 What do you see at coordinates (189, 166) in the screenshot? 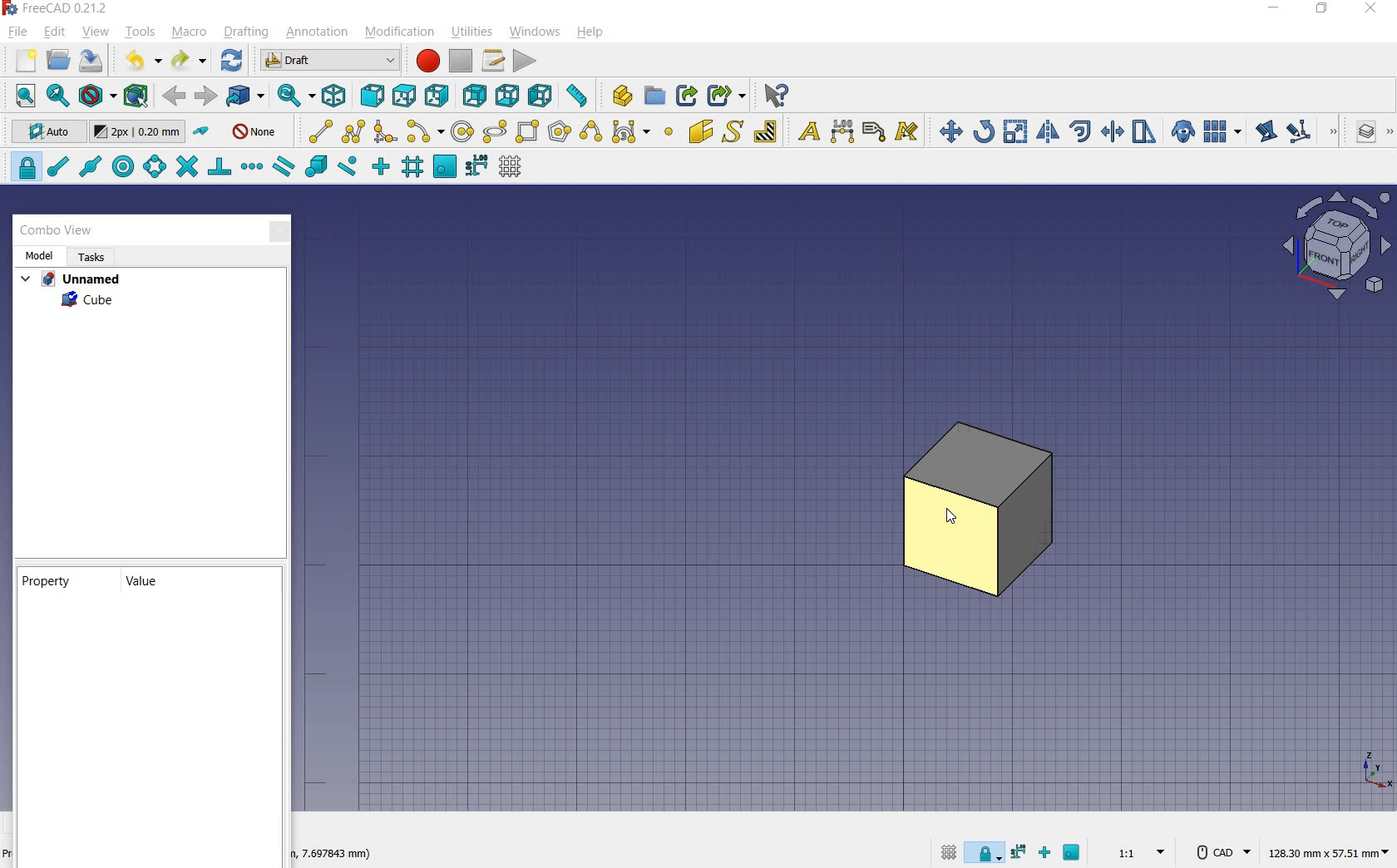
I see `snap intersection` at bounding box center [189, 166].